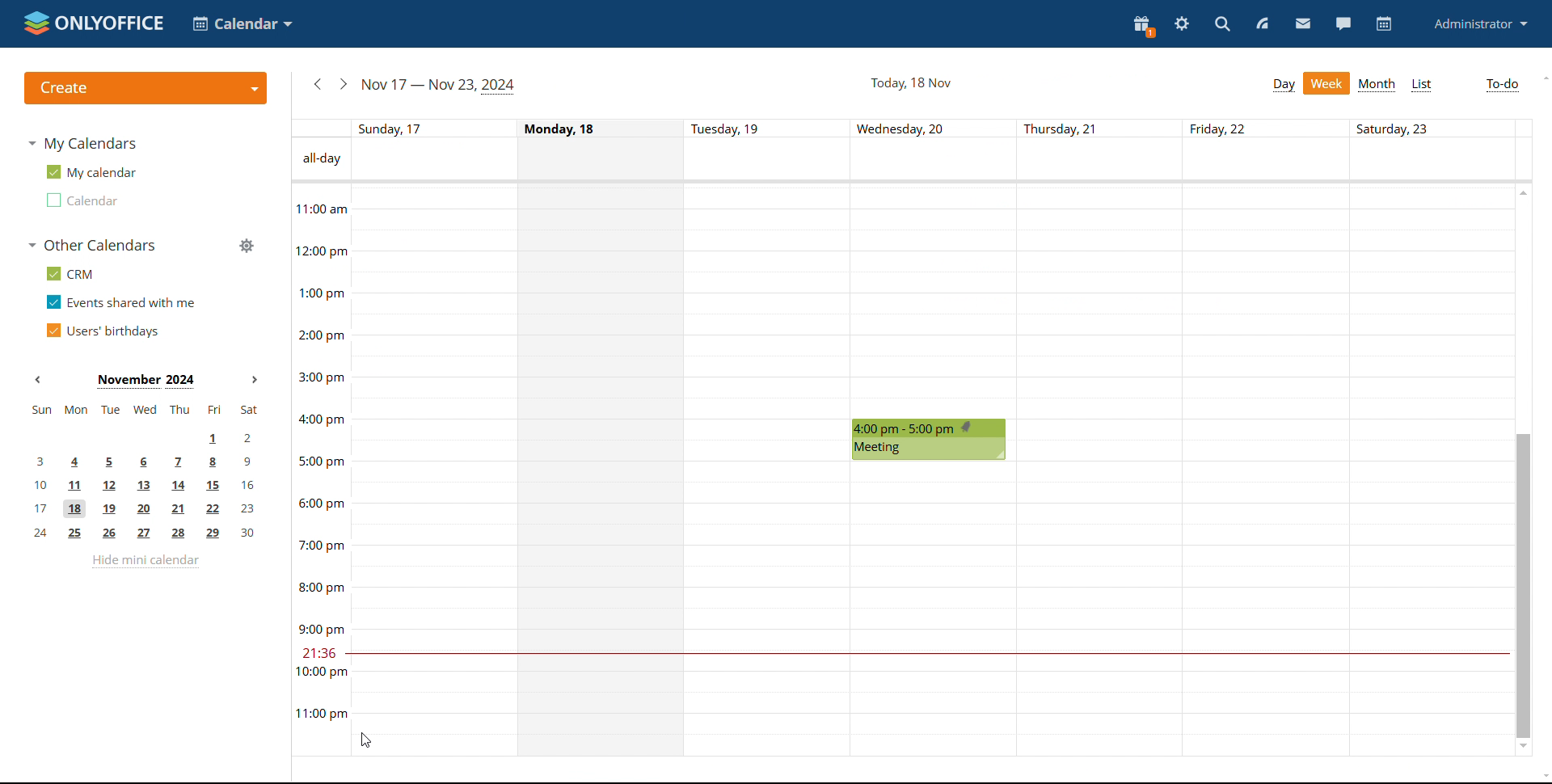 The width and height of the screenshot is (1552, 784). I want to click on mini calendar, so click(145, 472).